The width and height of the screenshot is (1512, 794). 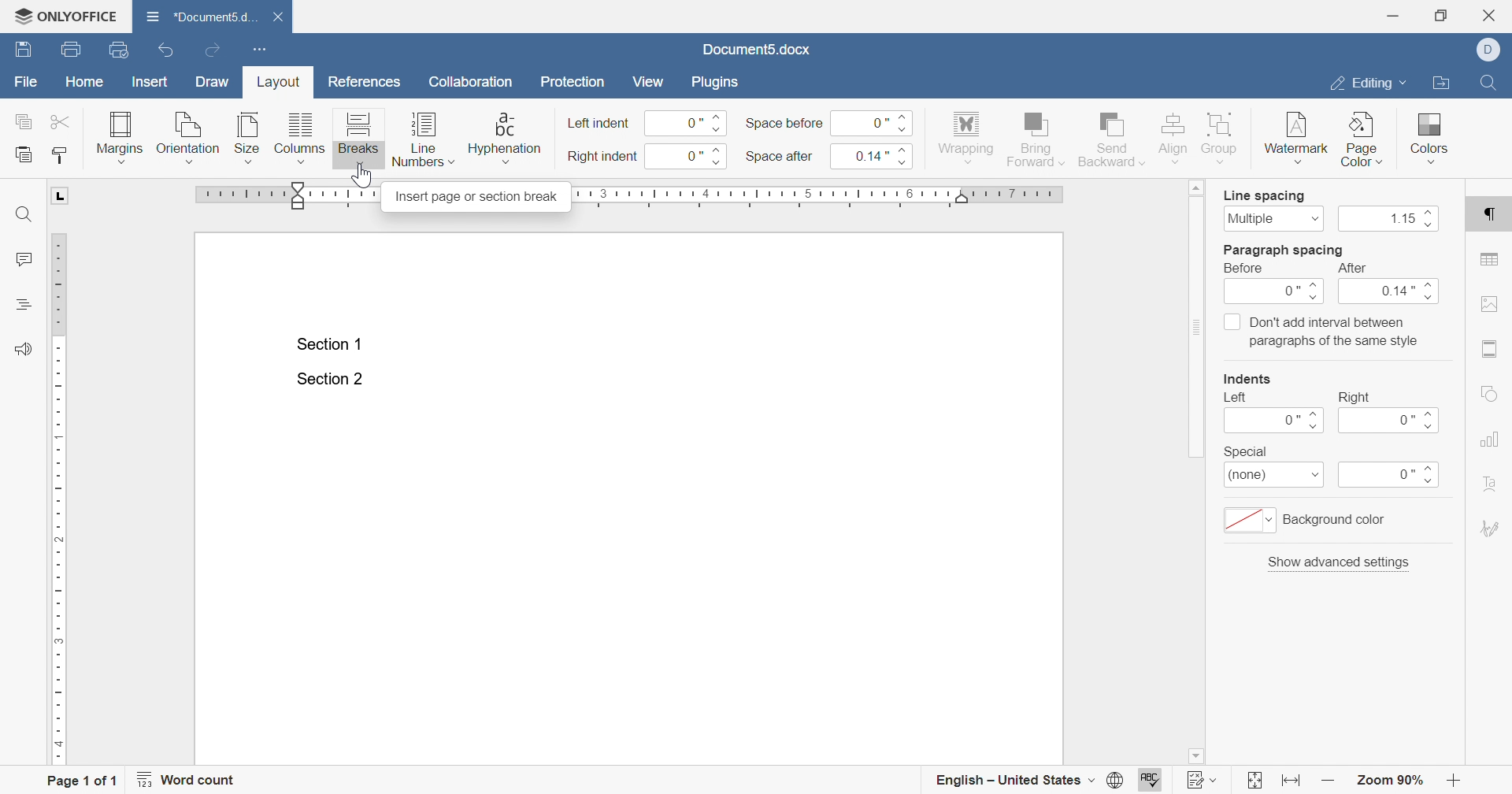 What do you see at coordinates (190, 779) in the screenshot?
I see `word count` at bounding box center [190, 779].